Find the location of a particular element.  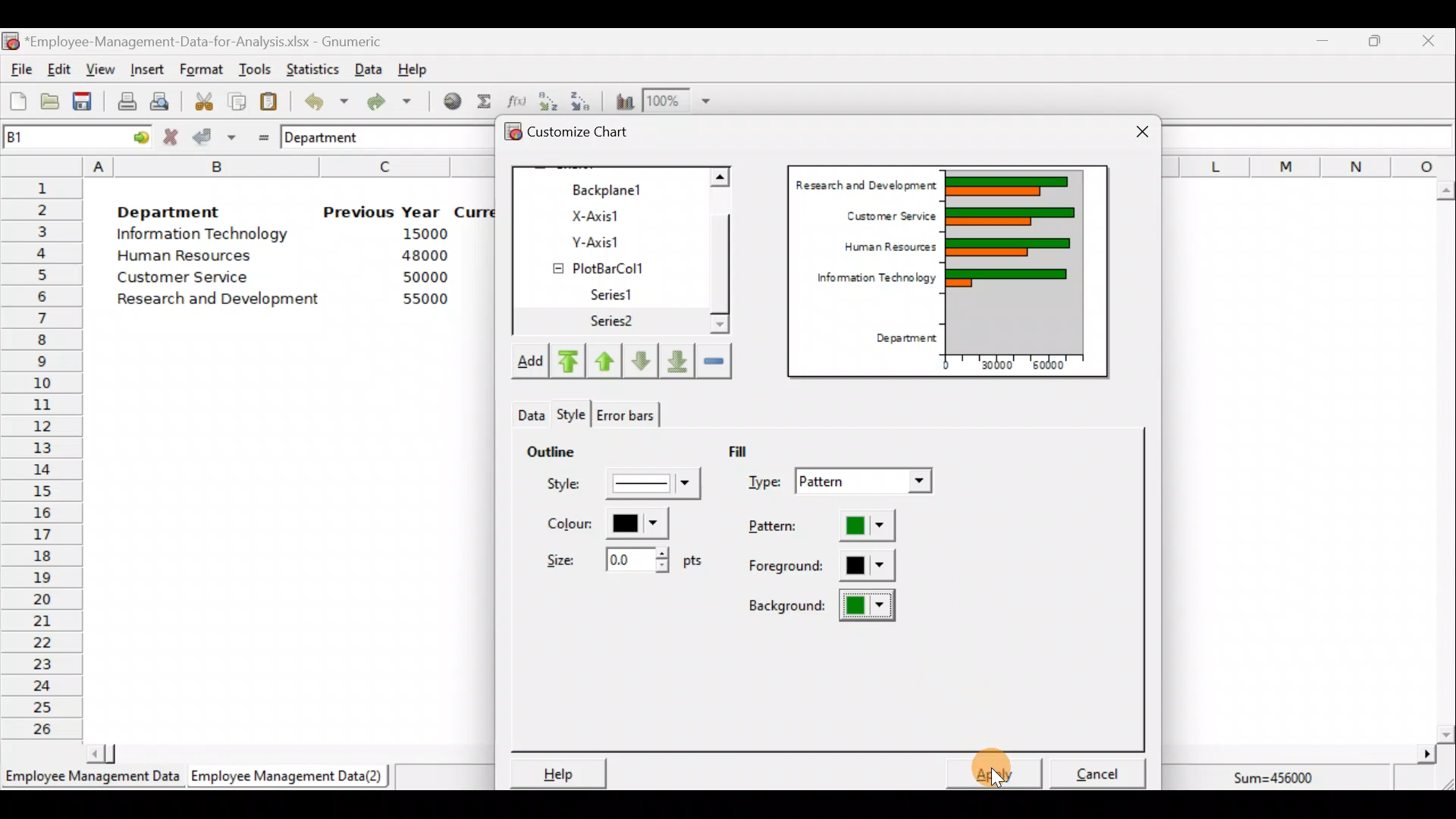

Human Resources is located at coordinates (883, 248).